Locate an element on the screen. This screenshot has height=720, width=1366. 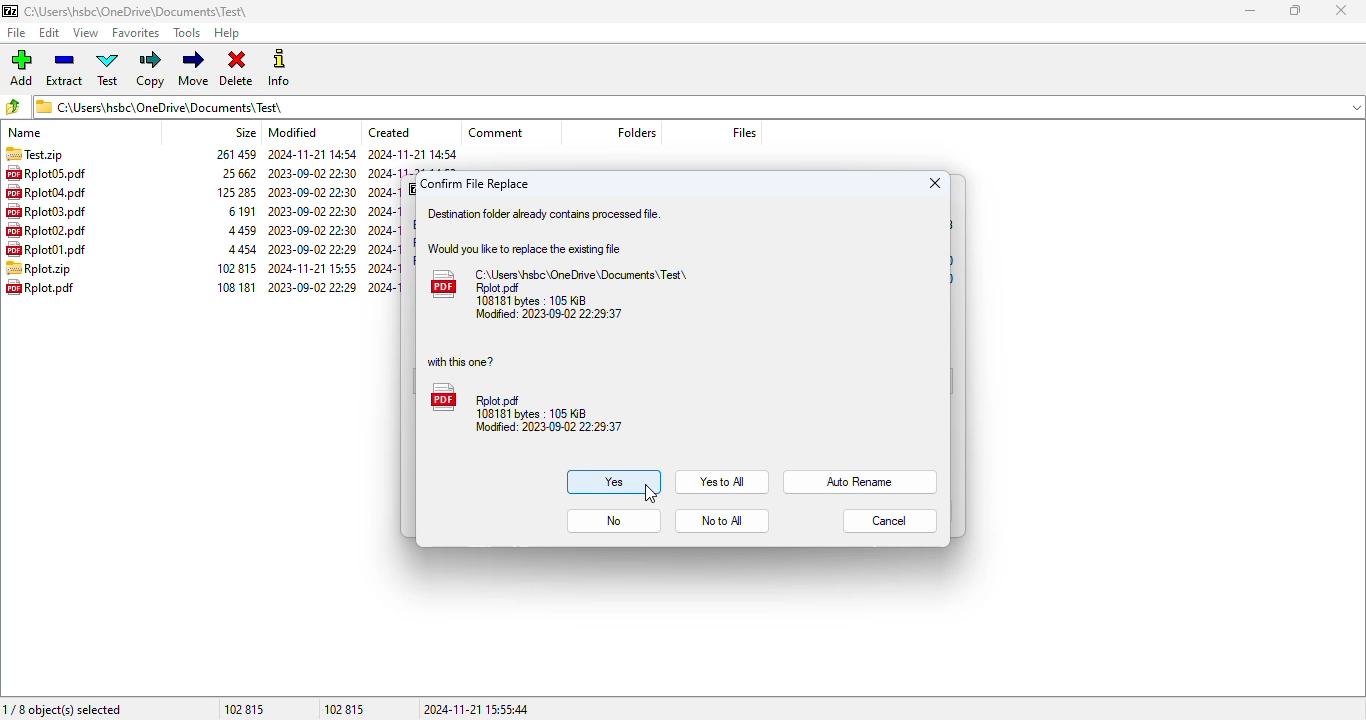
created is located at coordinates (389, 132).